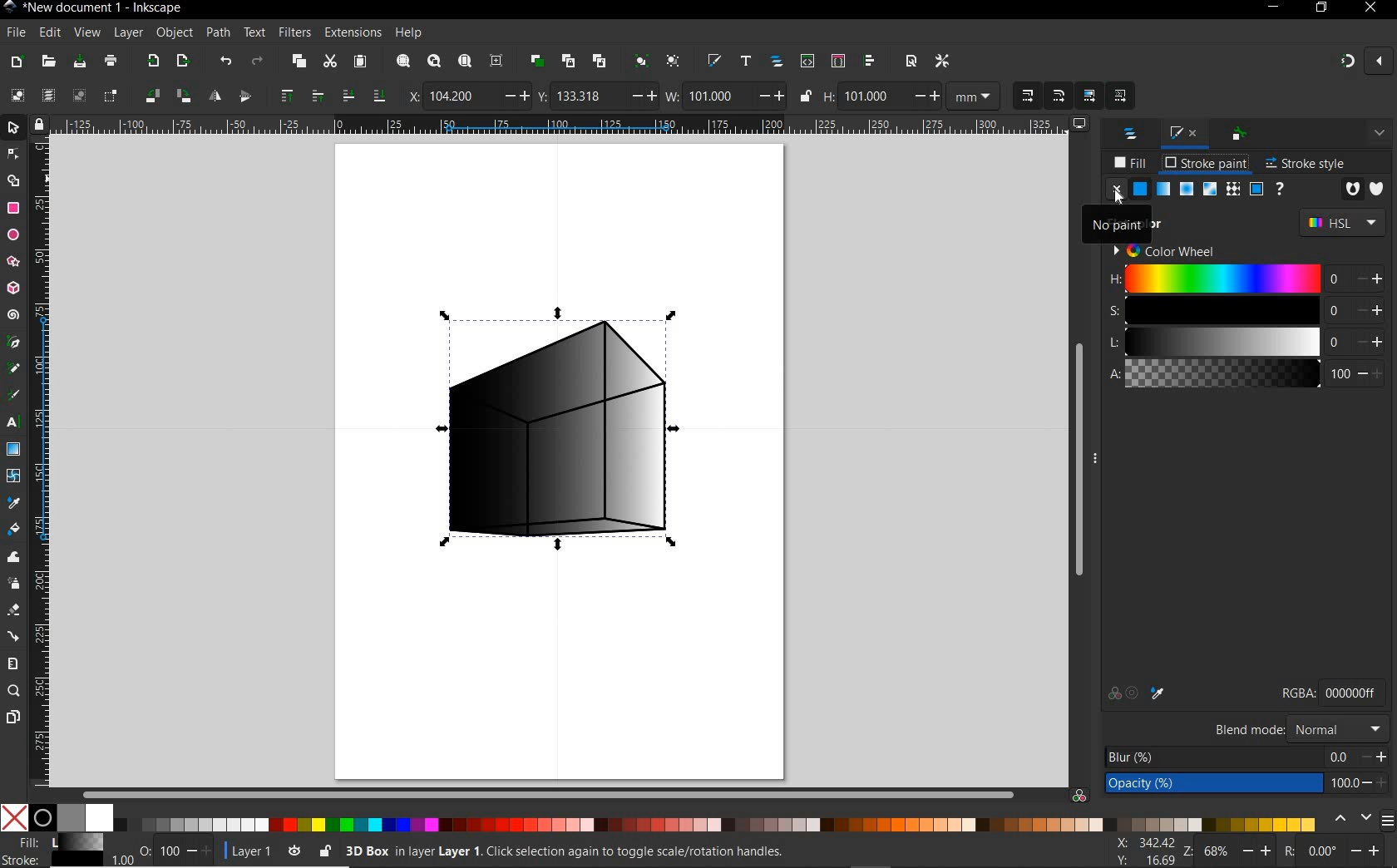 This screenshot has height=868, width=1397. What do you see at coordinates (870, 61) in the screenshot?
I see `OPEN ALIGN AND DISTRIBUTE` at bounding box center [870, 61].